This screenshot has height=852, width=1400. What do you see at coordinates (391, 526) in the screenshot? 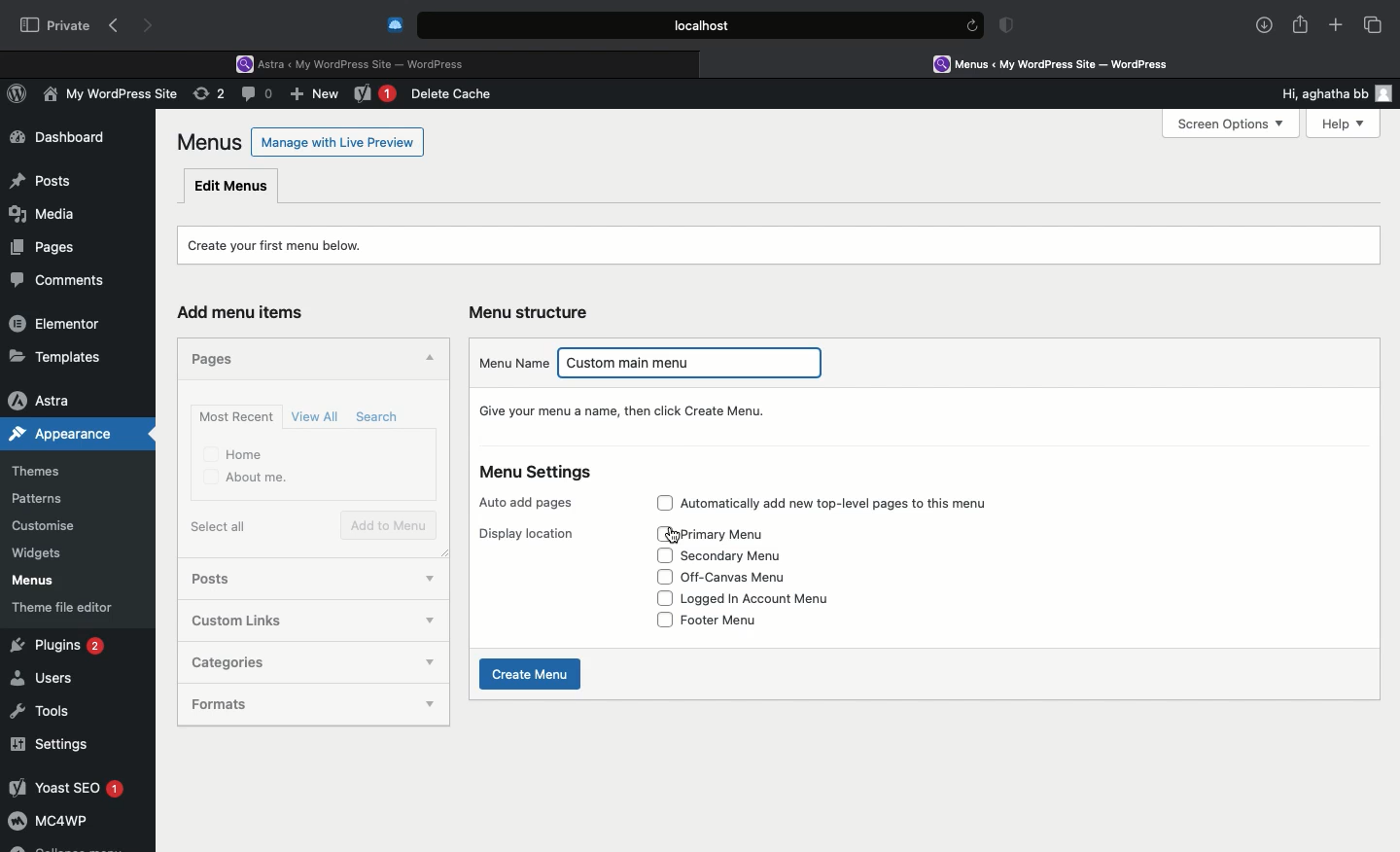
I see `Add to menu` at bounding box center [391, 526].